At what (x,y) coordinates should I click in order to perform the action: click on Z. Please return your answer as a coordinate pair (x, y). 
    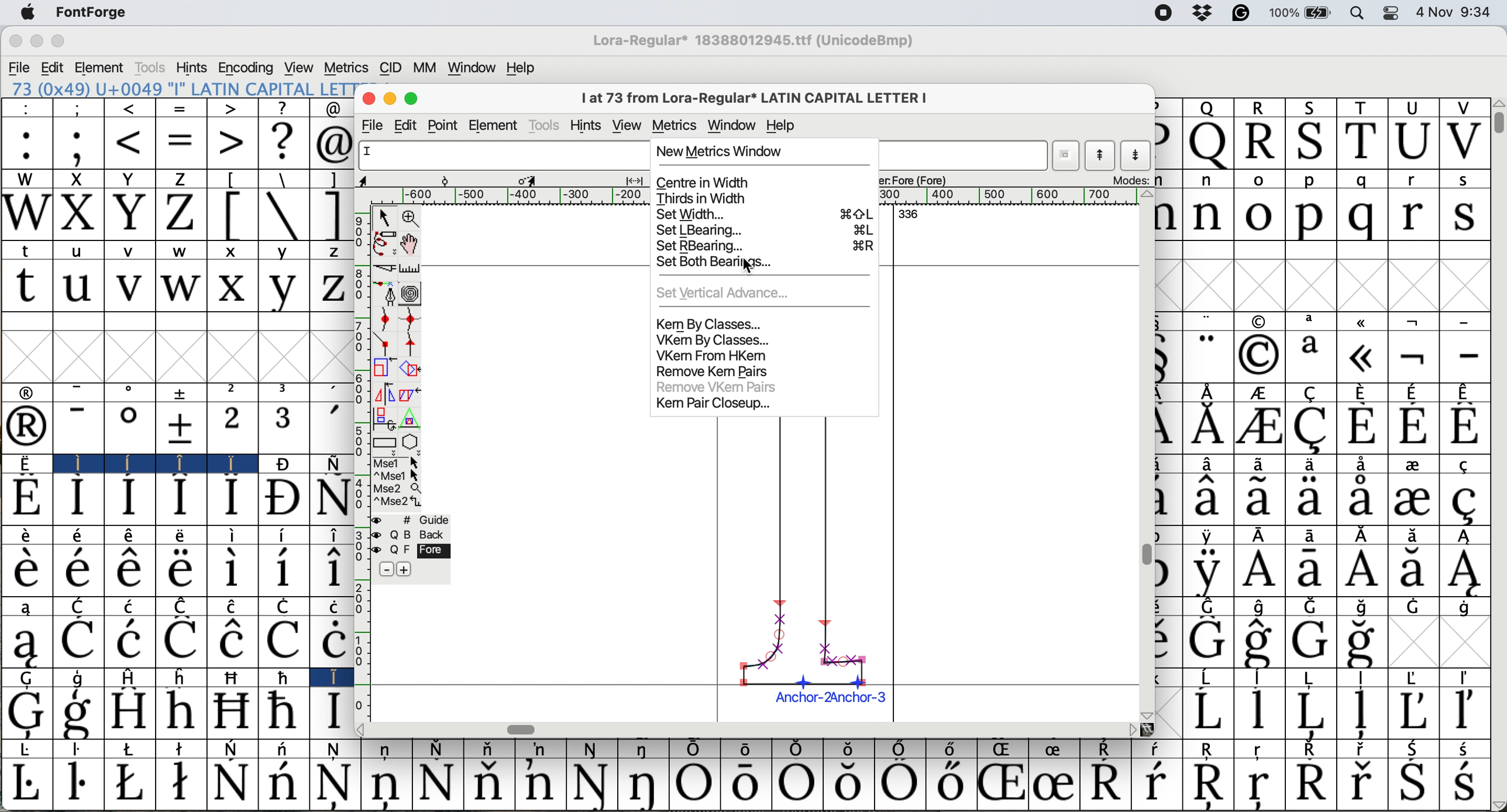
    Looking at the image, I should click on (178, 179).